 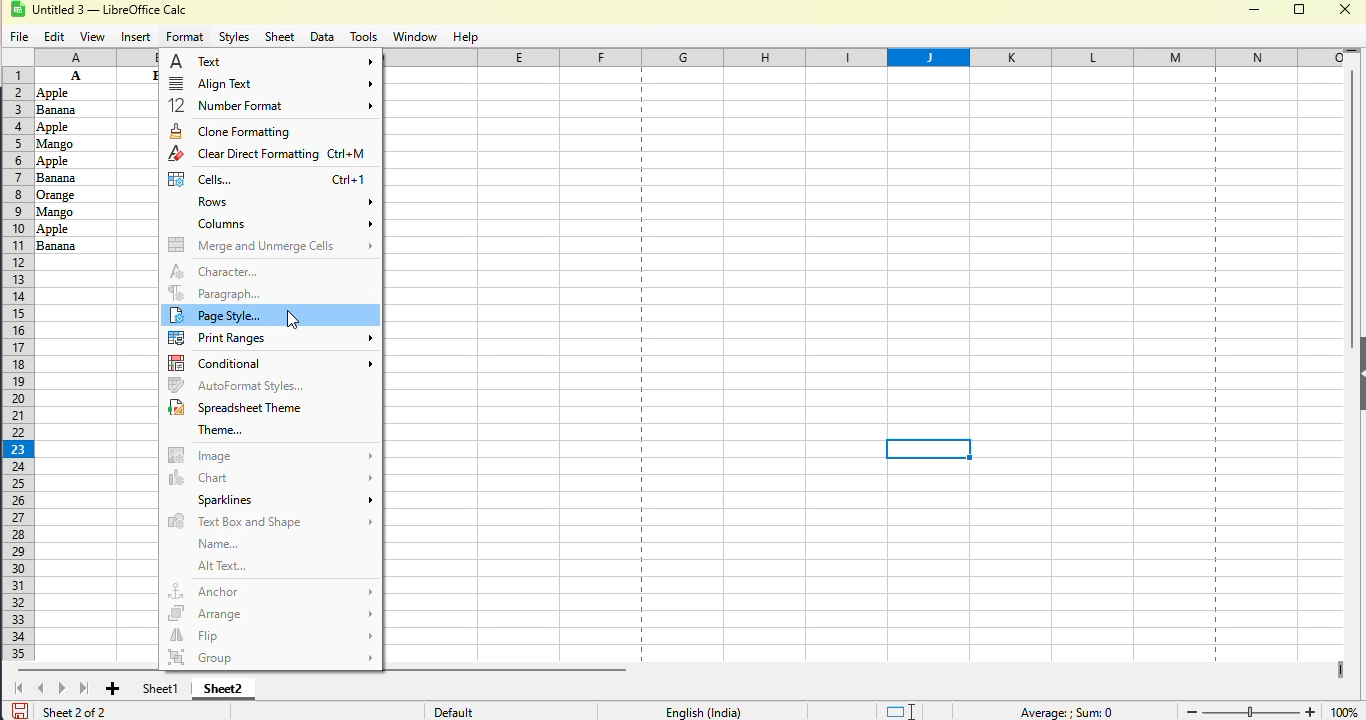 I want to click on scroll to last sheet, so click(x=85, y=687).